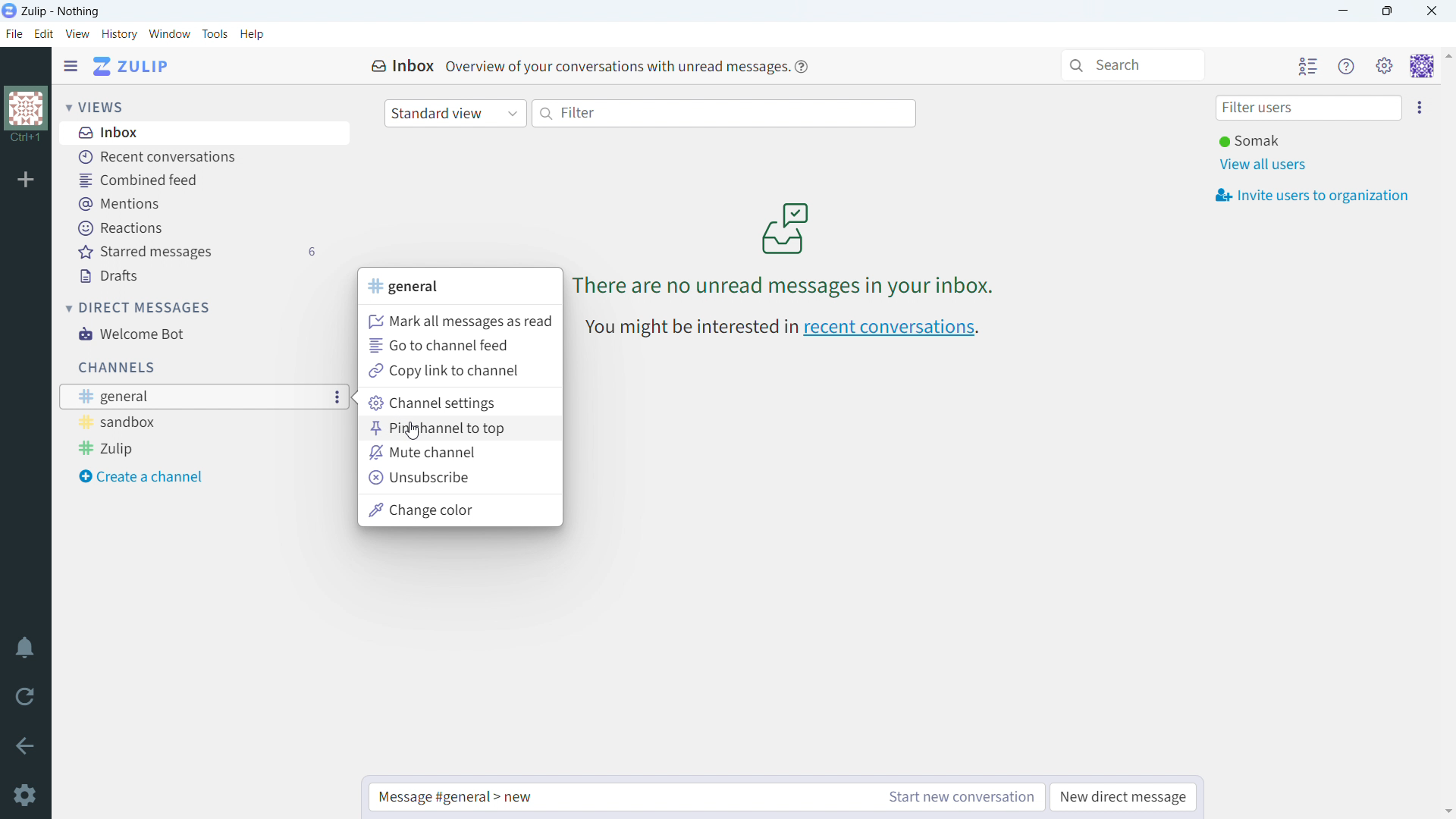 This screenshot has width=1456, height=819. Describe the element at coordinates (194, 134) in the screenshot. I see `inbox` at that location.